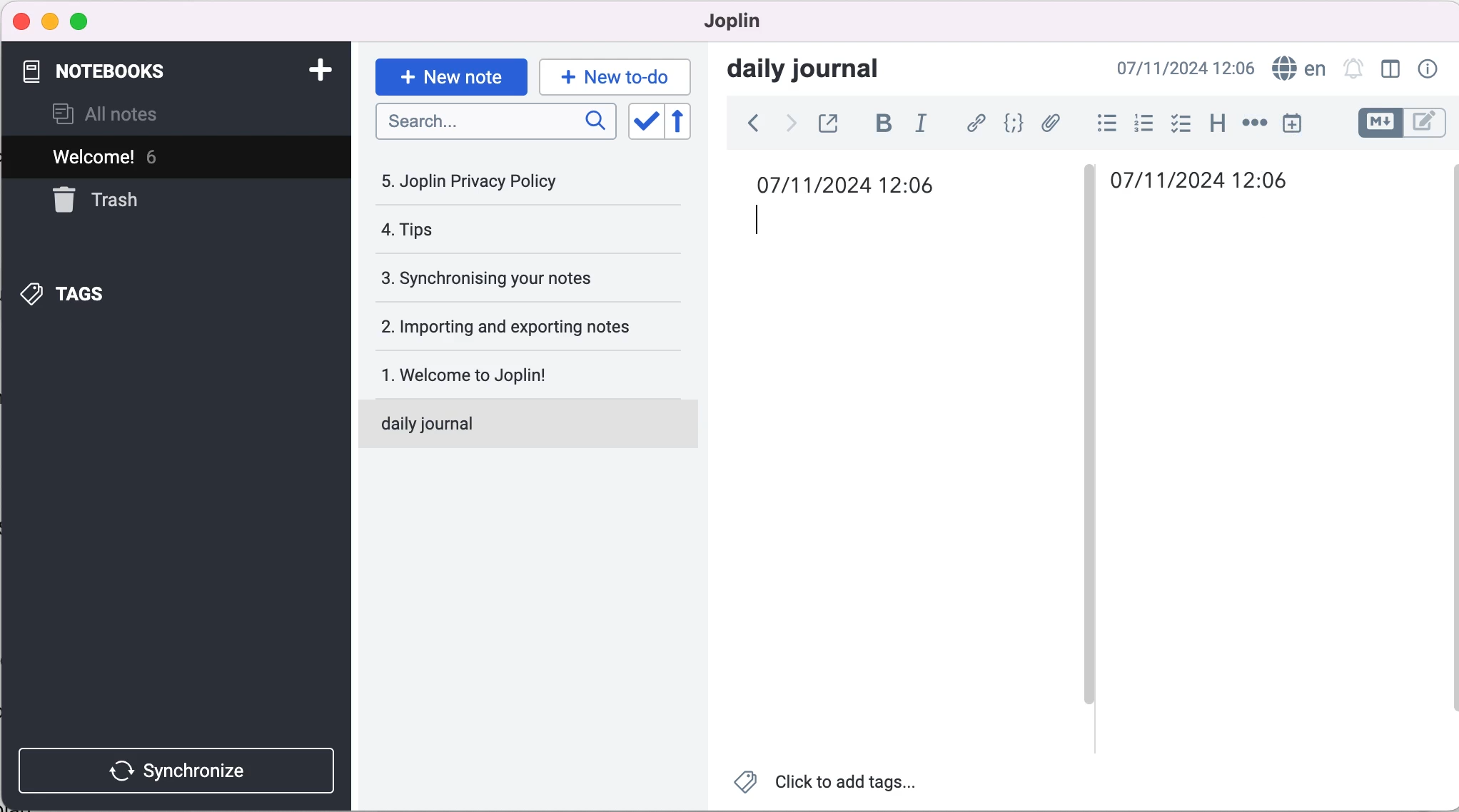  What do you see at coordinates (468, 230) in the screenshot?
I see `tips` at bounding box center [468, 230].